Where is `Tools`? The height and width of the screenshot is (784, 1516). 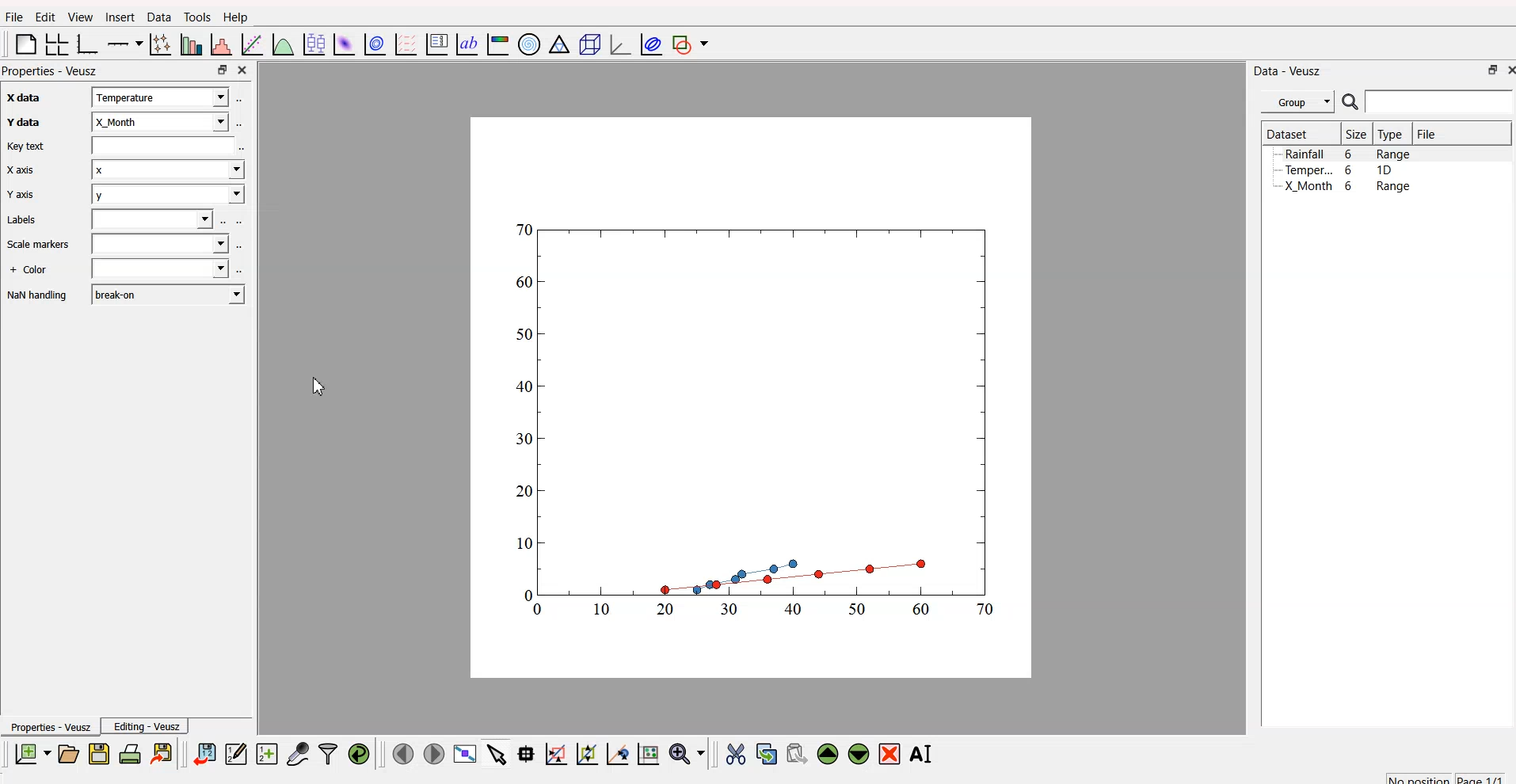
Tools is located at coordinates (196, 16).